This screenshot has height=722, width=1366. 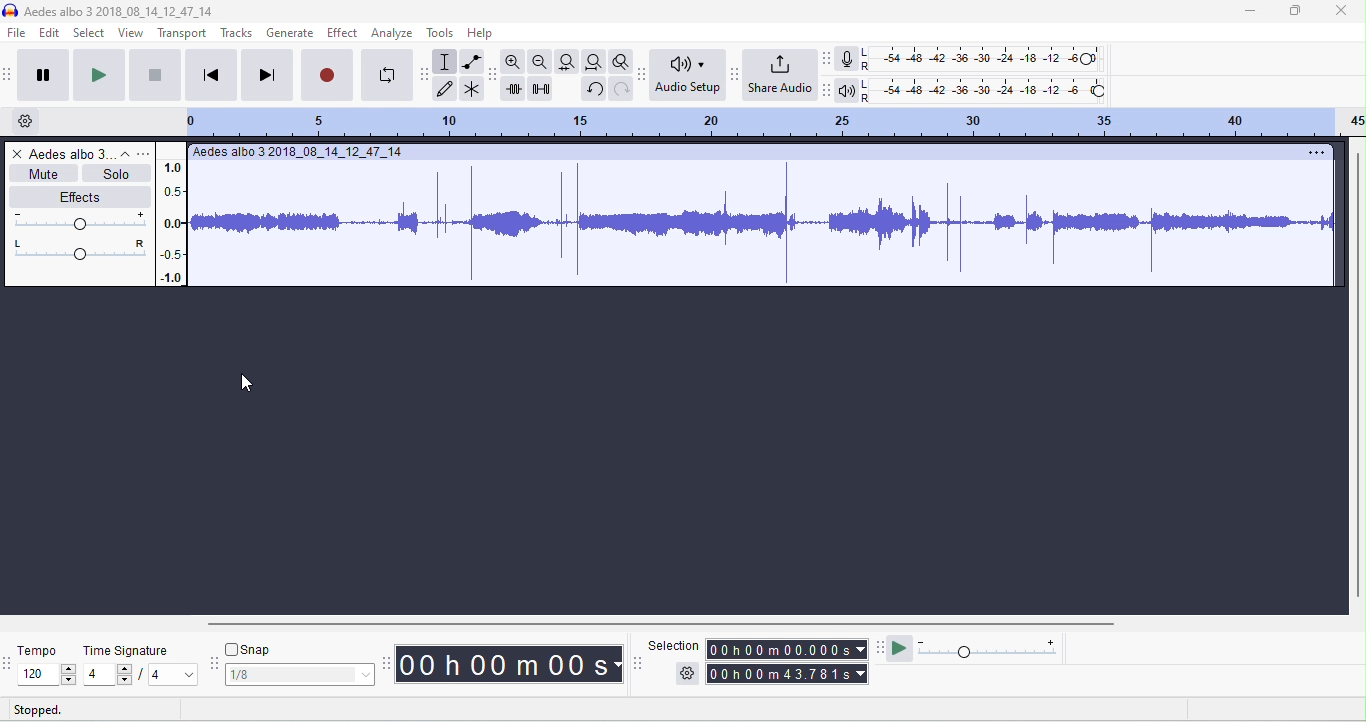 I want to click on R, so click(x=867, y=98).